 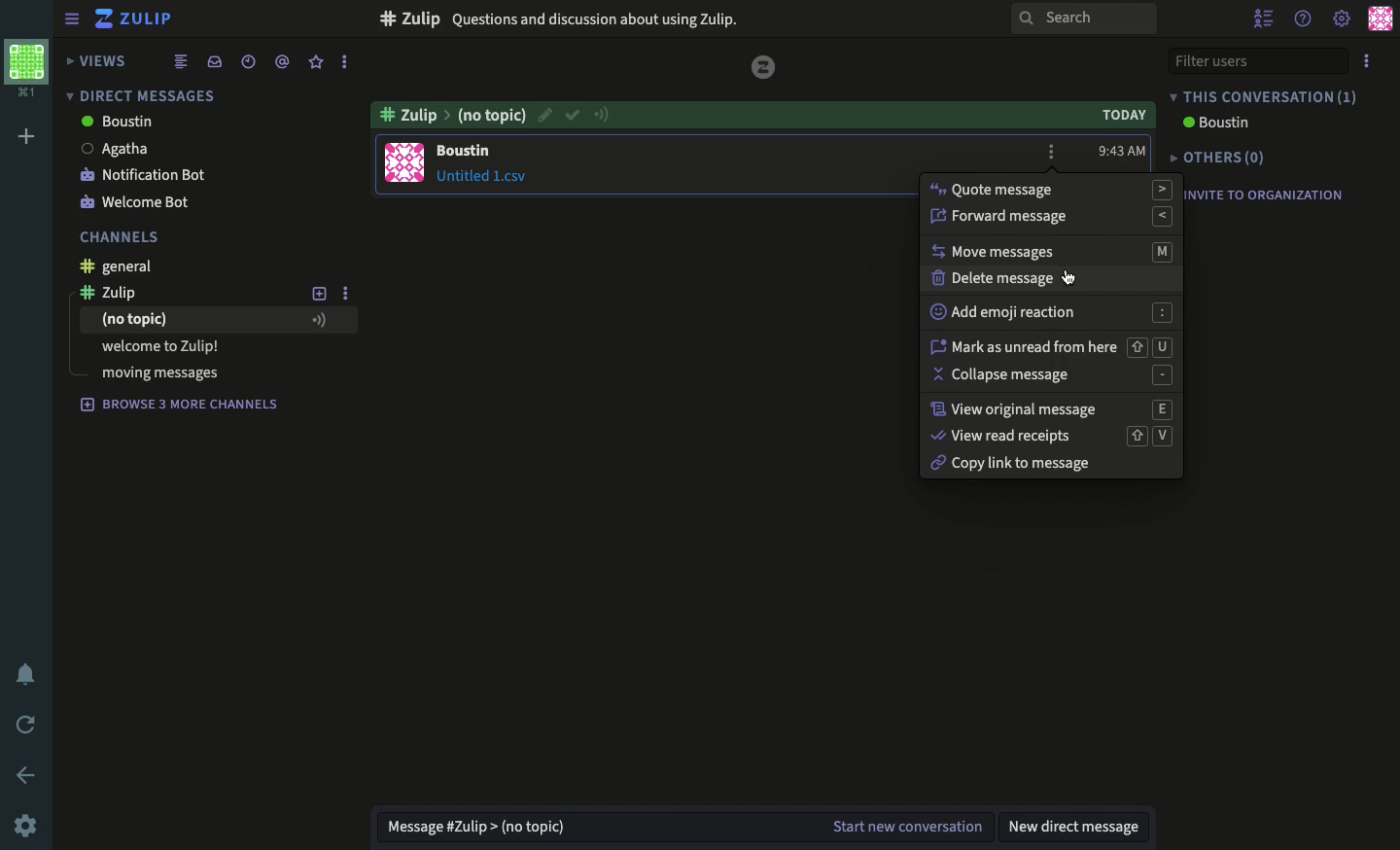 I want to click on message zulip, so click(x=476, y=820).